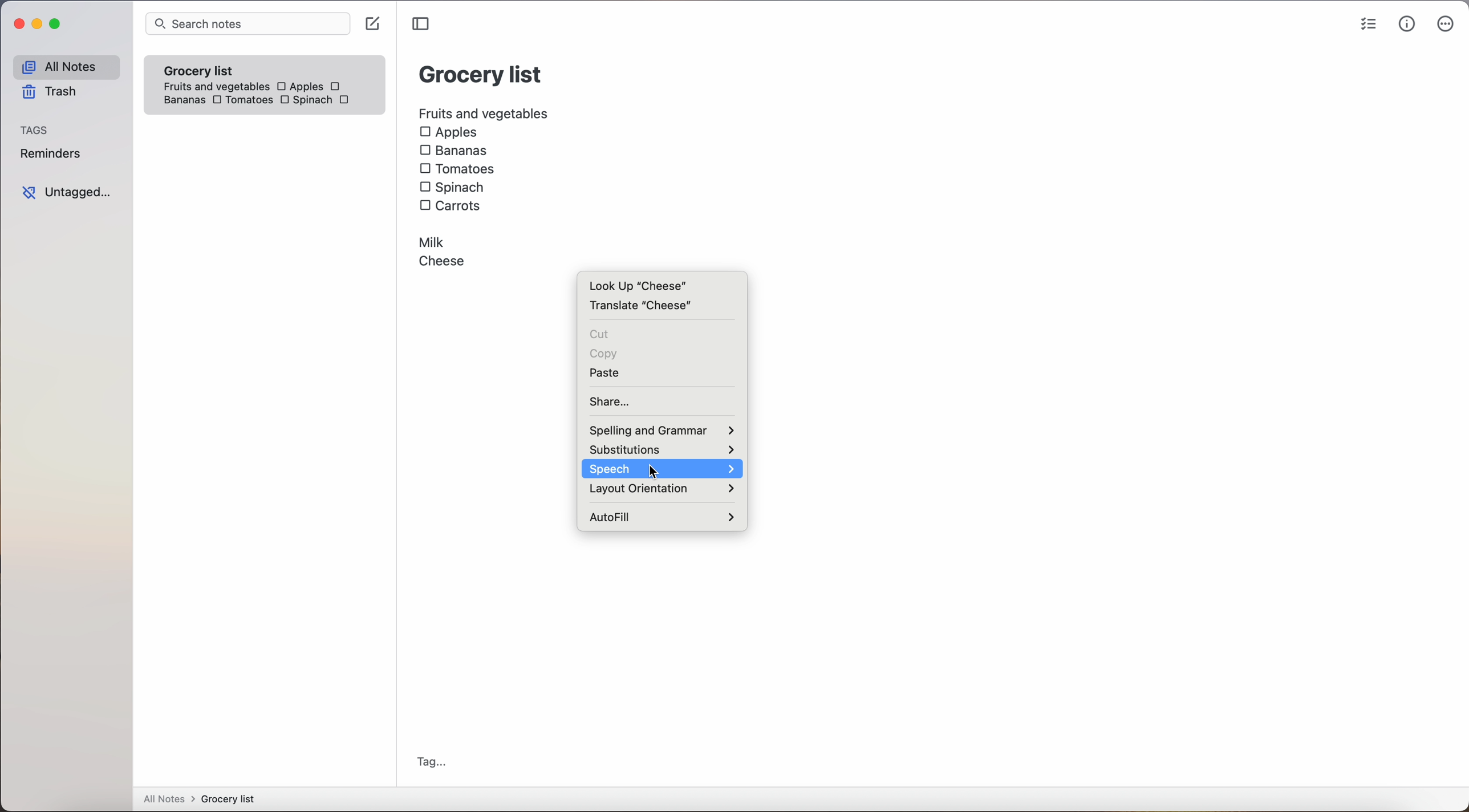  I want to click on Fruits and vegetables: Apples, Bananas, Tomatoes, Spinach, Carrots, Milk, Cheese, so click(483, 188).